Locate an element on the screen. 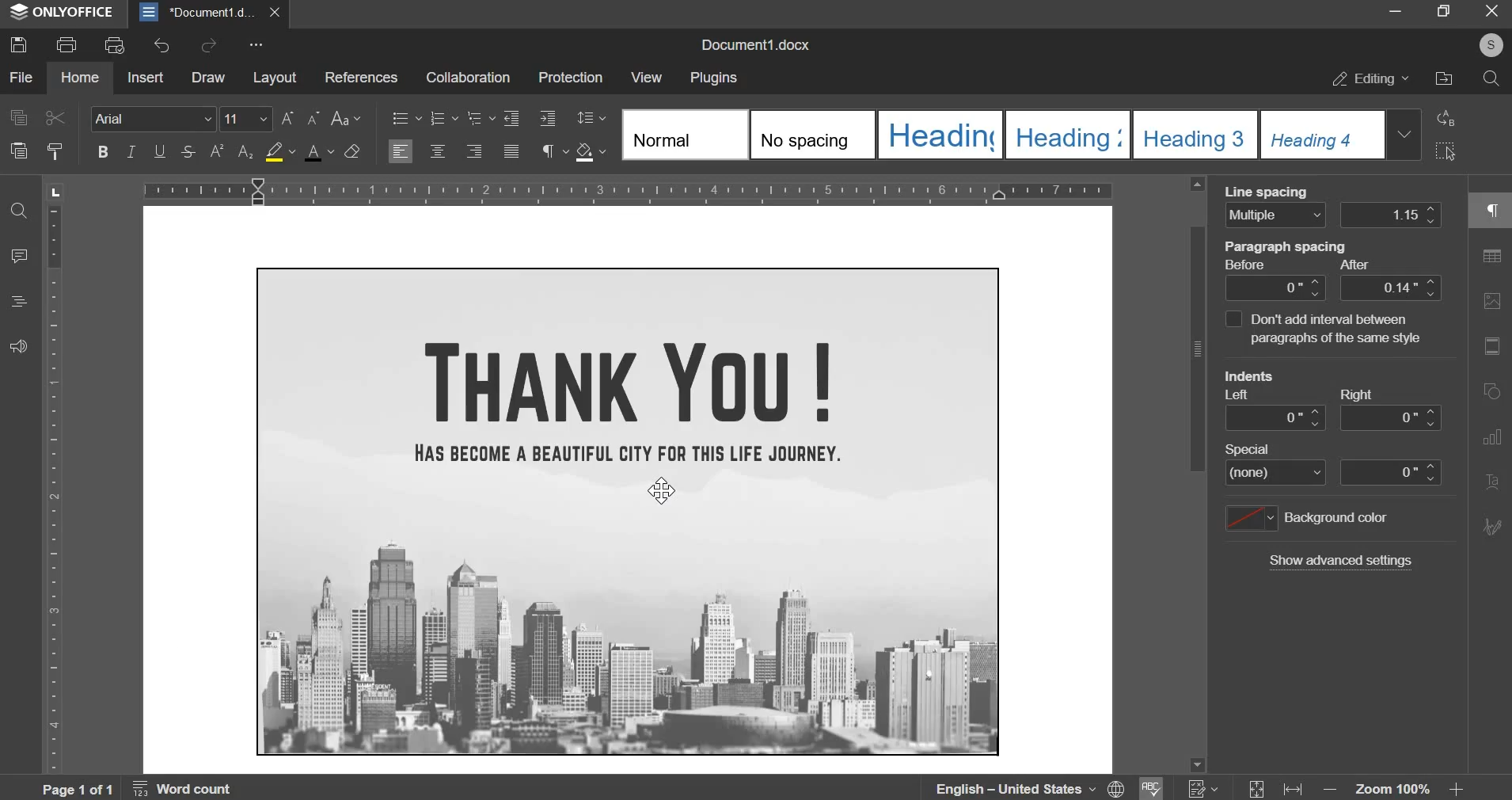  special is located at coordinates (1331, 474).